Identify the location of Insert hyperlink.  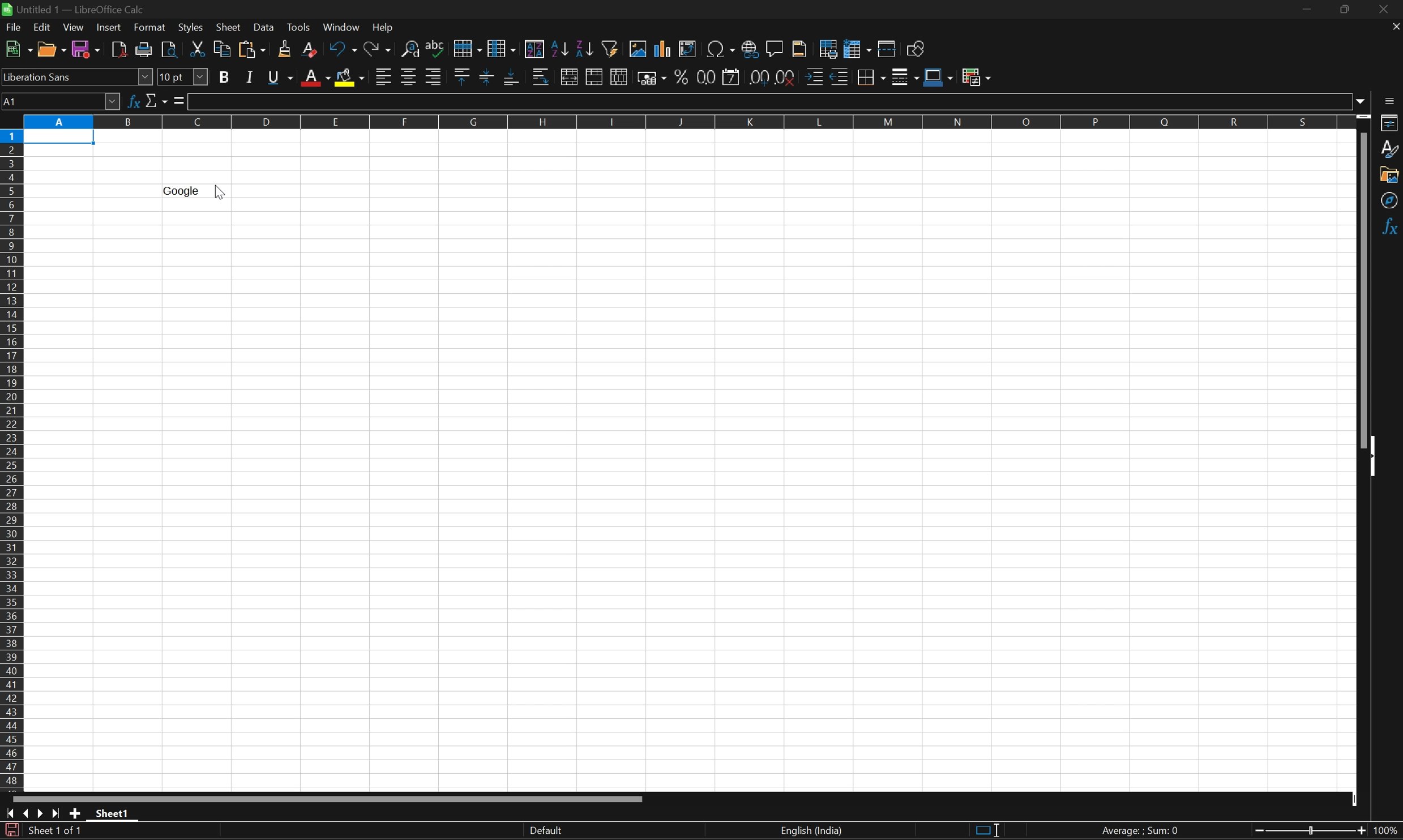
(748, 49).